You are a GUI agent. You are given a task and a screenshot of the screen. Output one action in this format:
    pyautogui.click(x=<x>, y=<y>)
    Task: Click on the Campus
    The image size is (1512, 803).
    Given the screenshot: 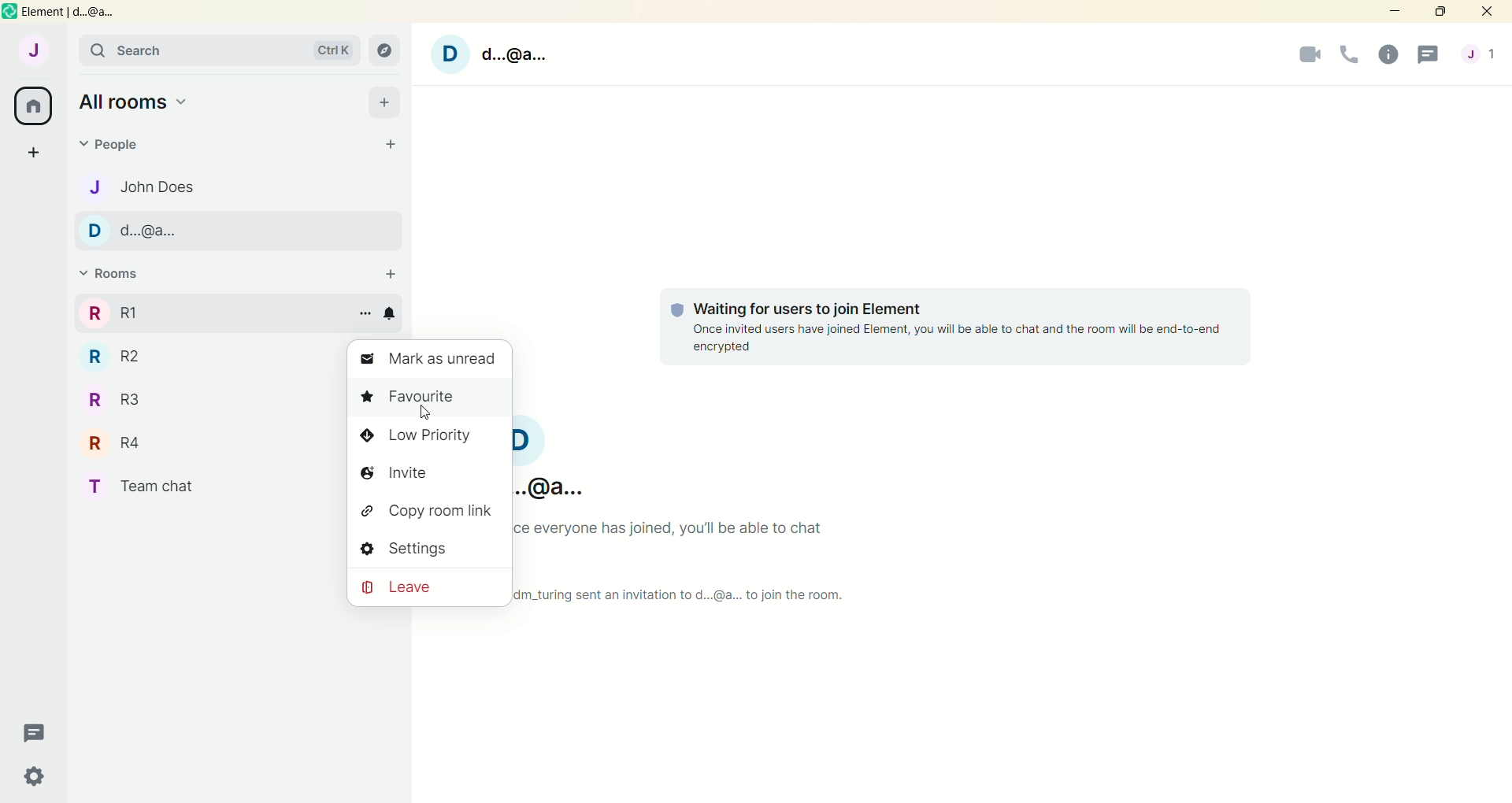 What is the action you would take?
    pyautogui.click(x=387, y=50)
    